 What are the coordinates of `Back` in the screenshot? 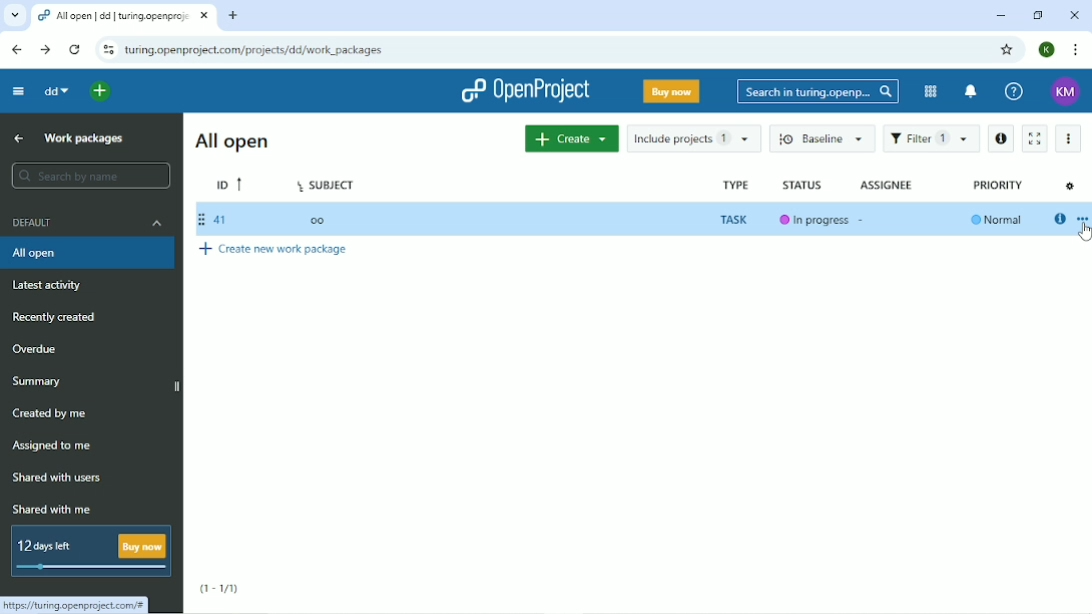 It's located at (16, 49).